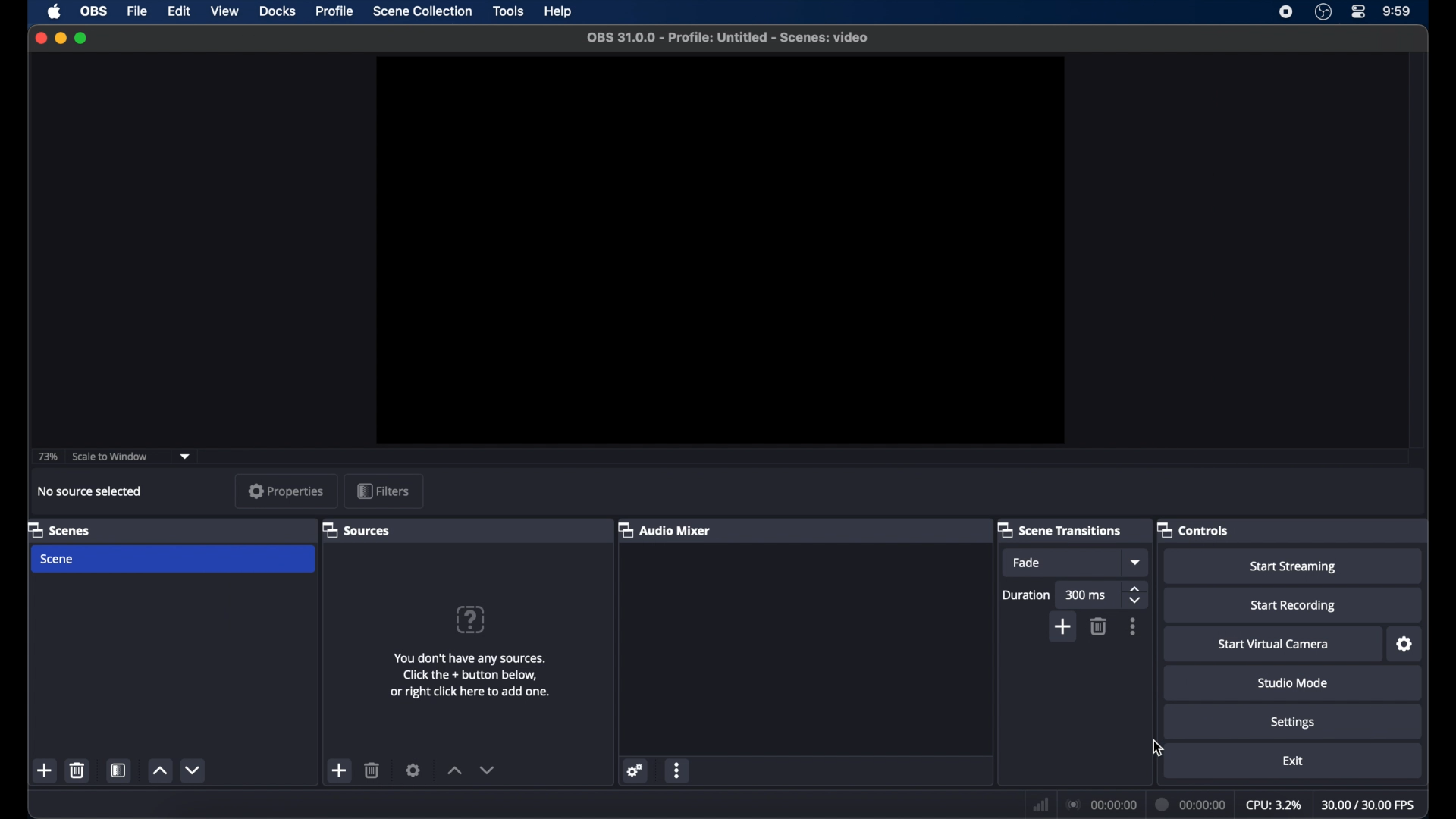  What do you see at coordinates (1028, 563) in the screenshot?
I see `fade` at bounding box center [1028, 563].